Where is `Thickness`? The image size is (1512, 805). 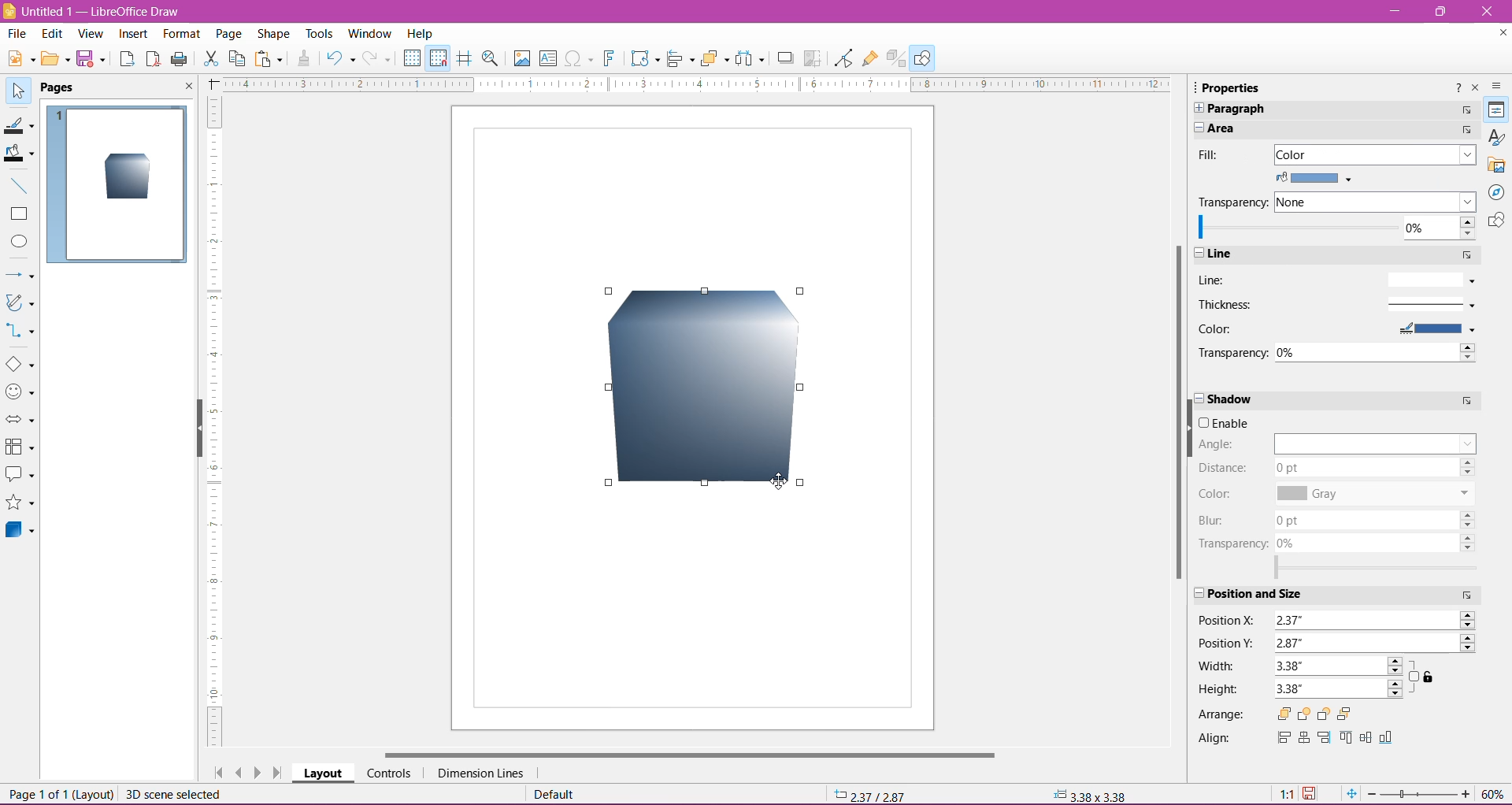
Thickness is located at coordinates (1239, 304).